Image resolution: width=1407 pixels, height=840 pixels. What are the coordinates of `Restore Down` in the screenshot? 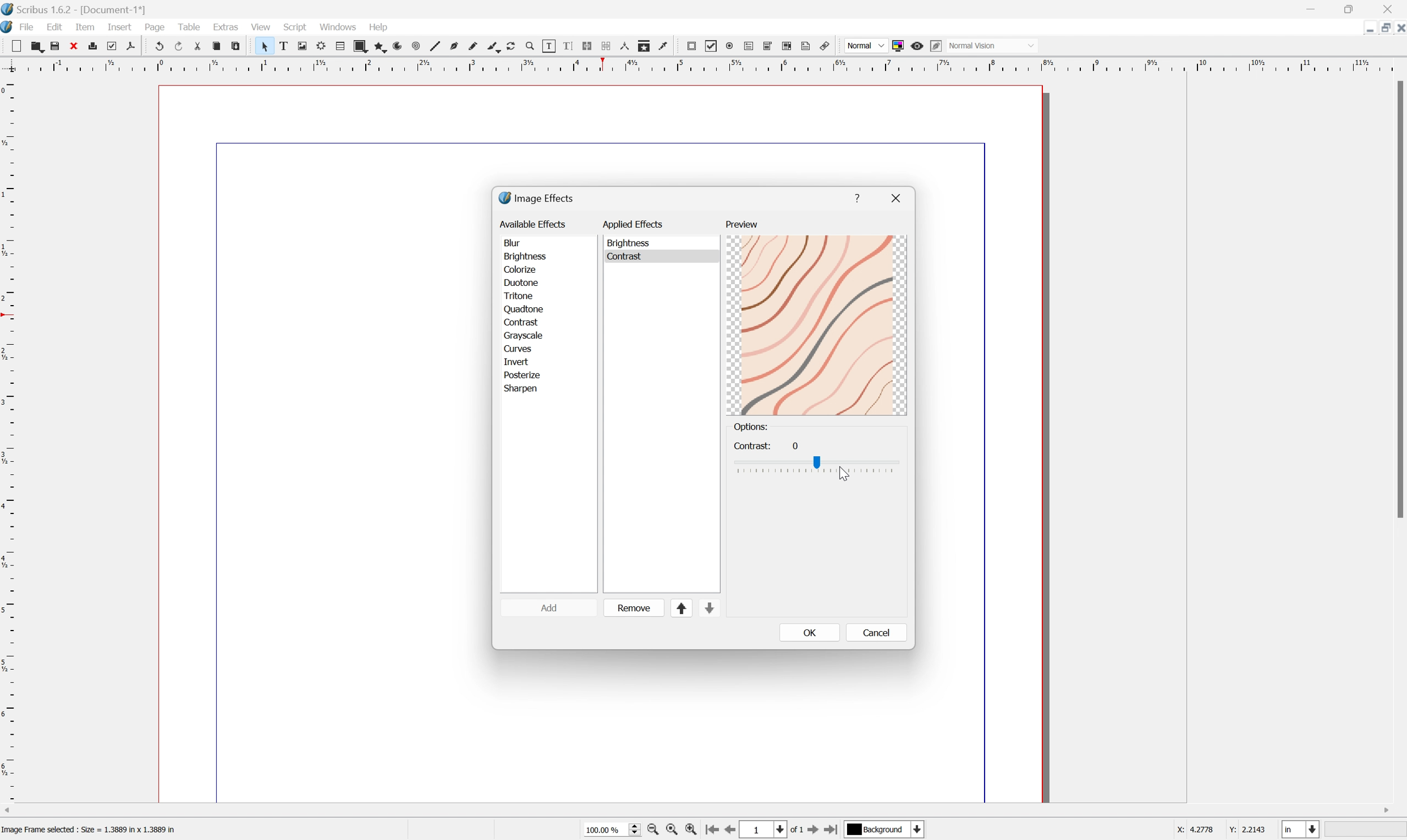 It's located at (1368, 31).